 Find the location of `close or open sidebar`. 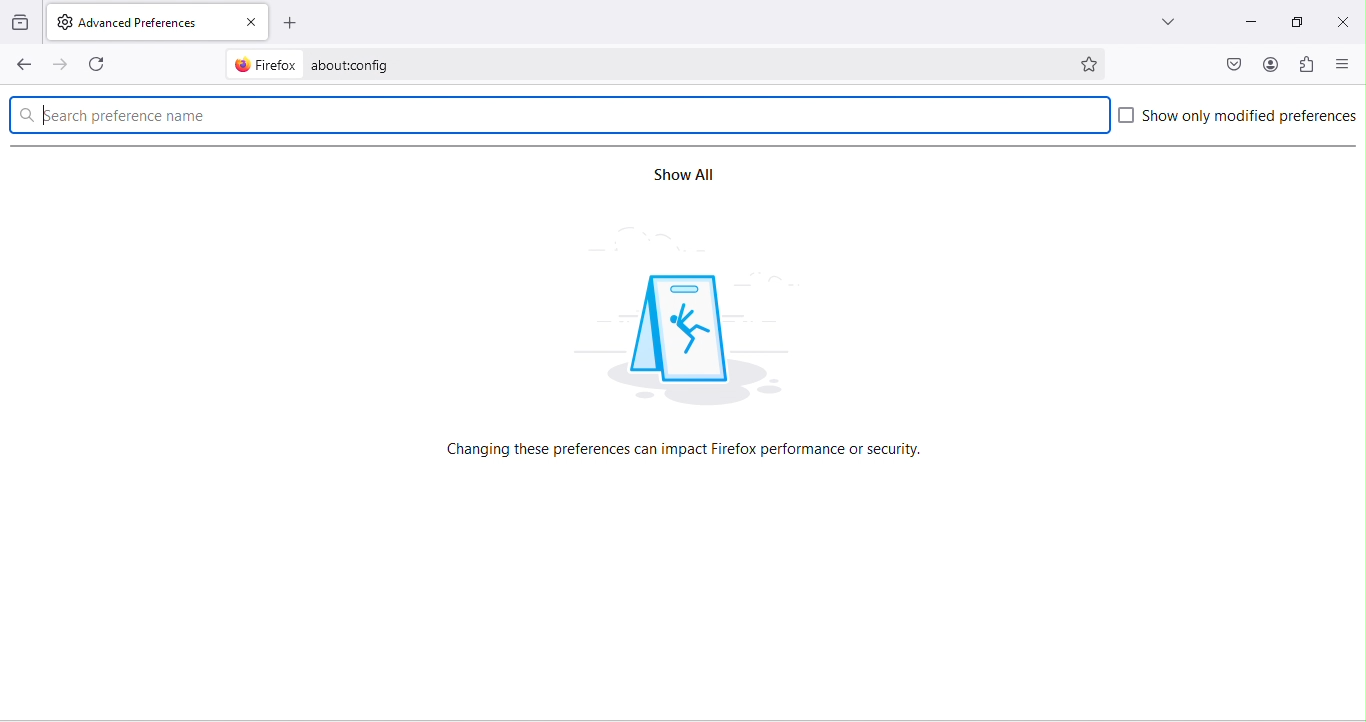

close or open sidebar is located at coordinates (1347, 64).